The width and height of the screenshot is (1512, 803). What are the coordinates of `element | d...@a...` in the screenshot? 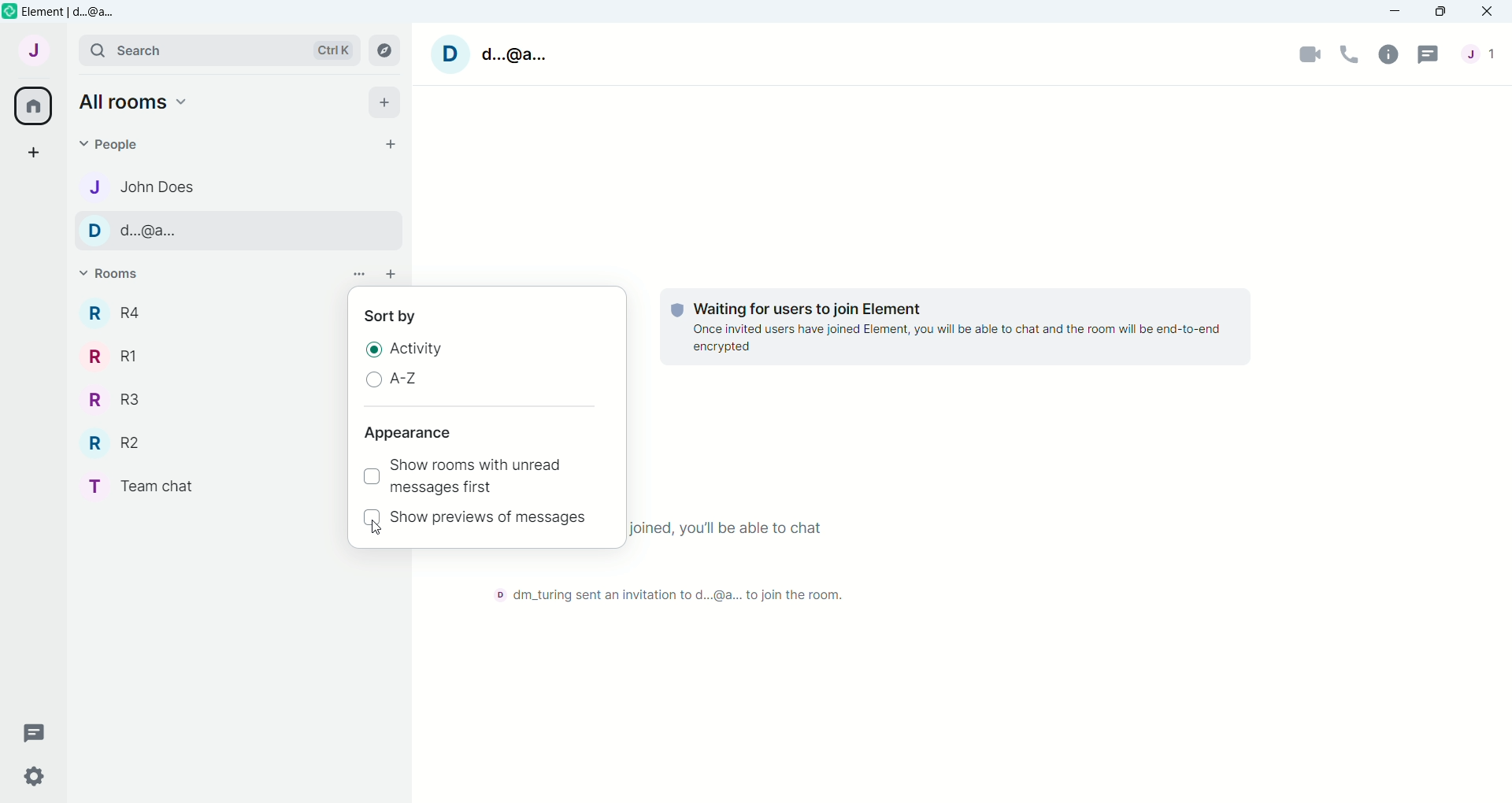 It's located at (76, 11).